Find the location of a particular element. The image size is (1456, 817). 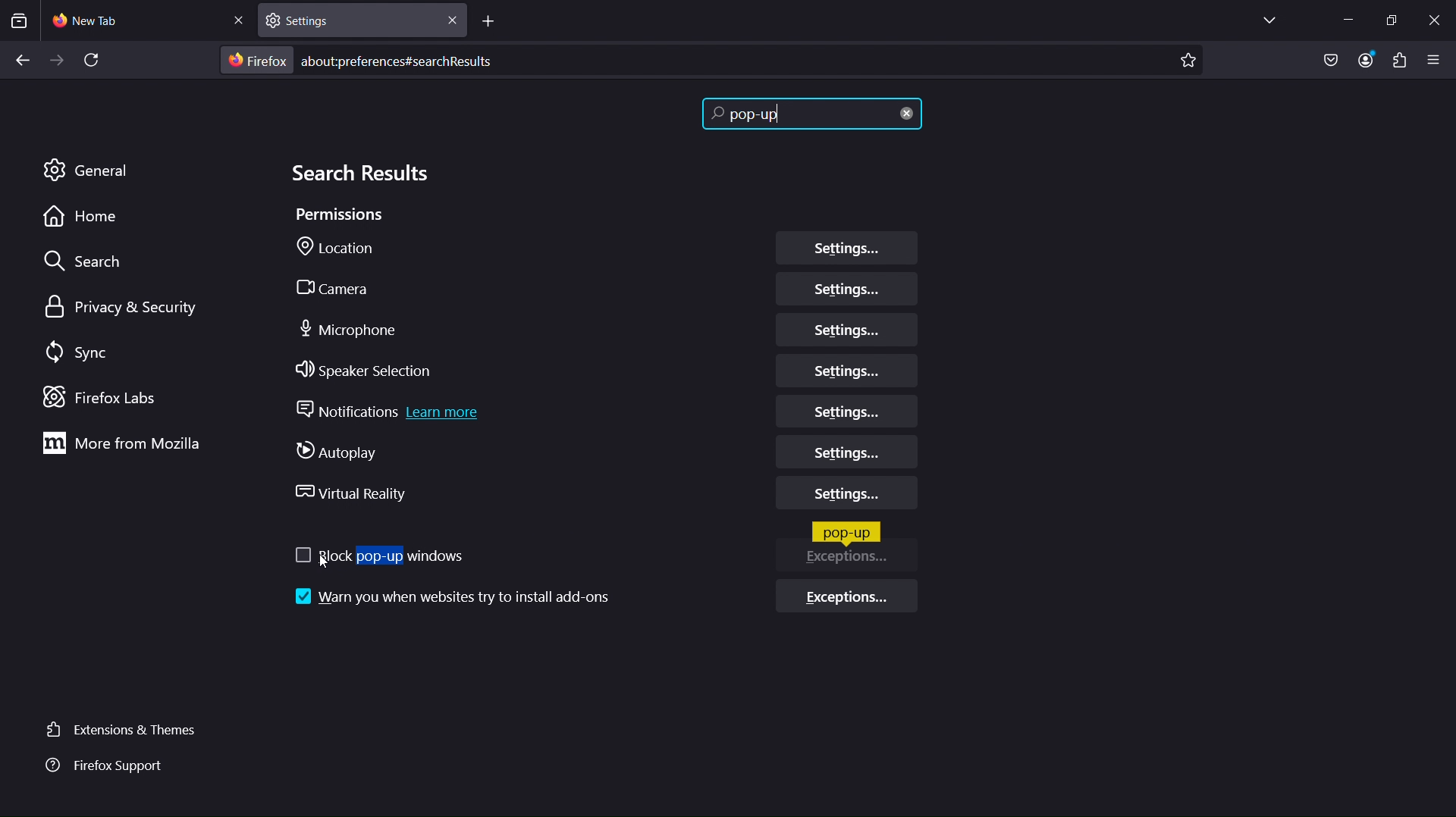

More from Mozilla is located at coordinates (118, 446).